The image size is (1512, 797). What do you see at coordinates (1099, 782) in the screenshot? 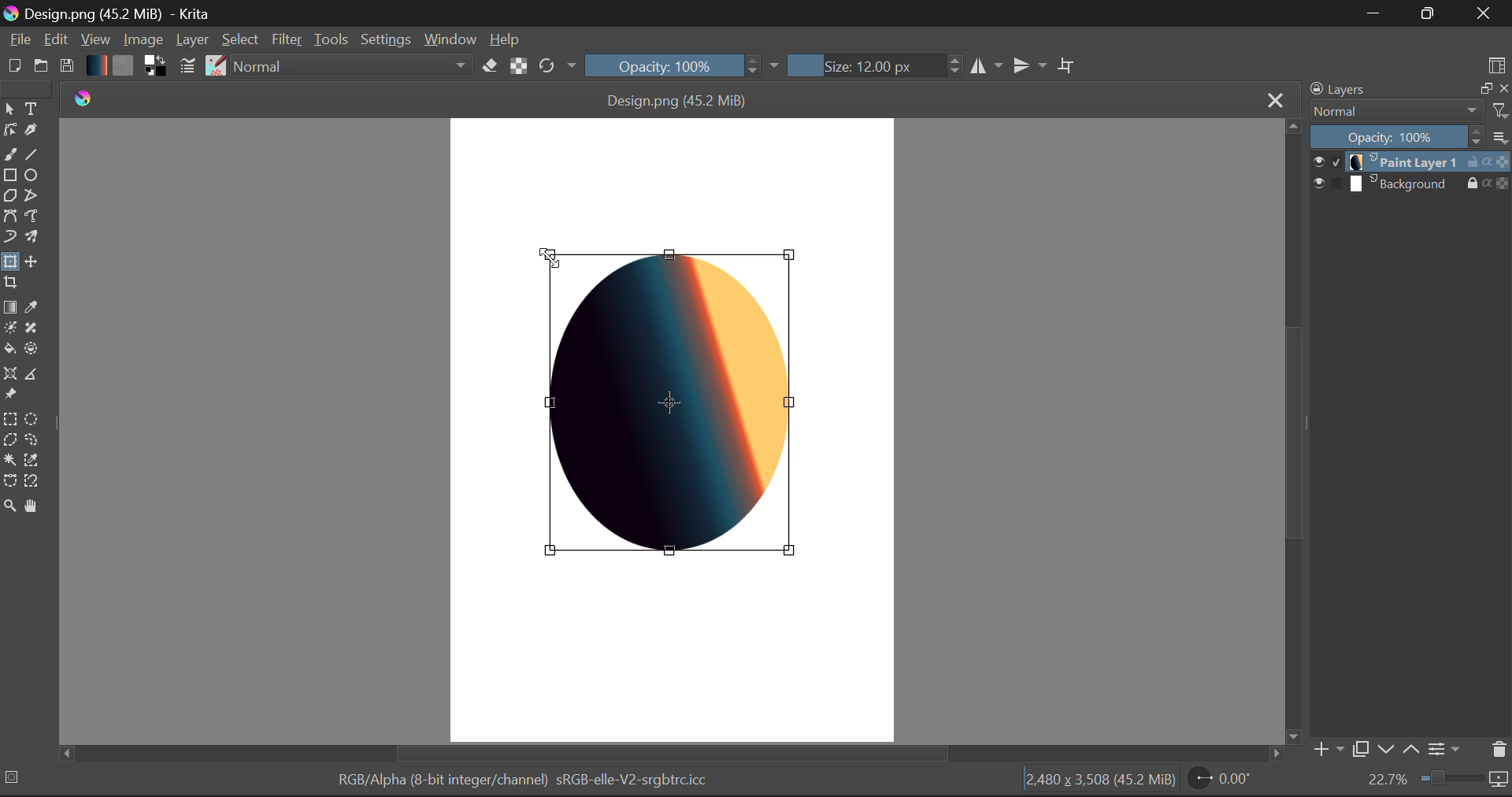
I see `2,480 x 3,508 (45.2 MB)` at bounding box center [1099, 782].